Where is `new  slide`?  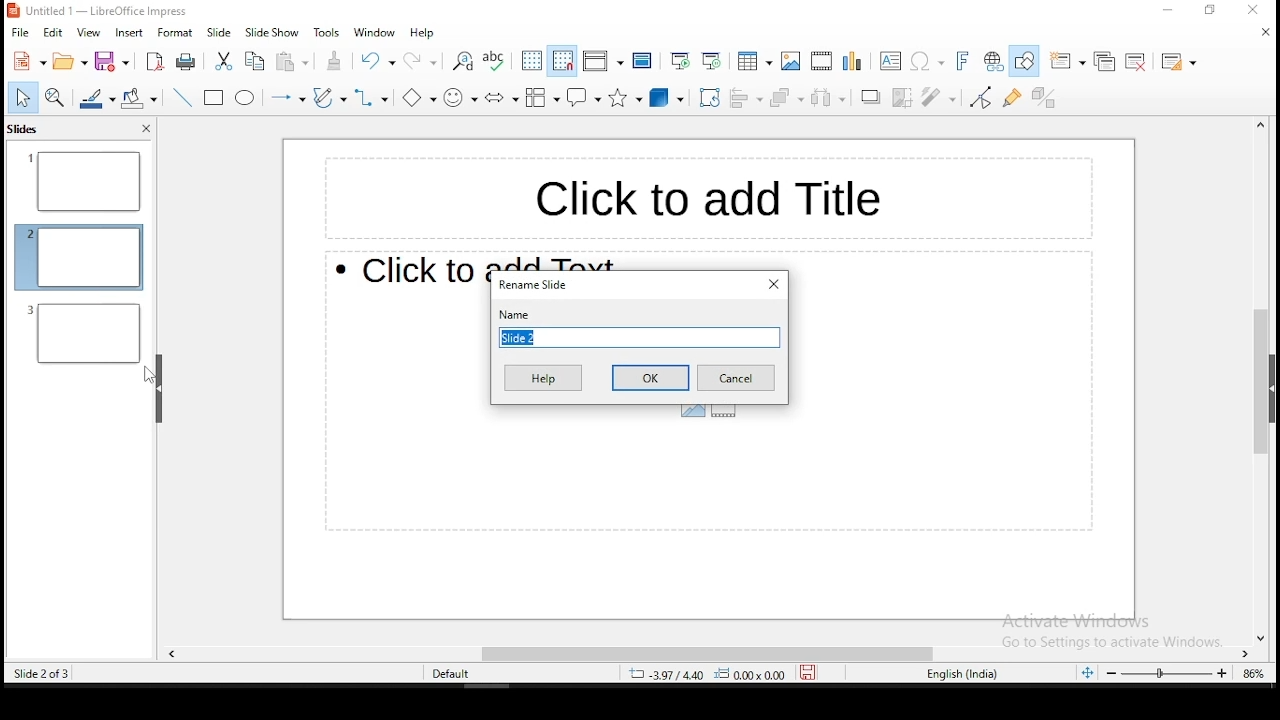 new  slide is located at coordinates (1065, 62).